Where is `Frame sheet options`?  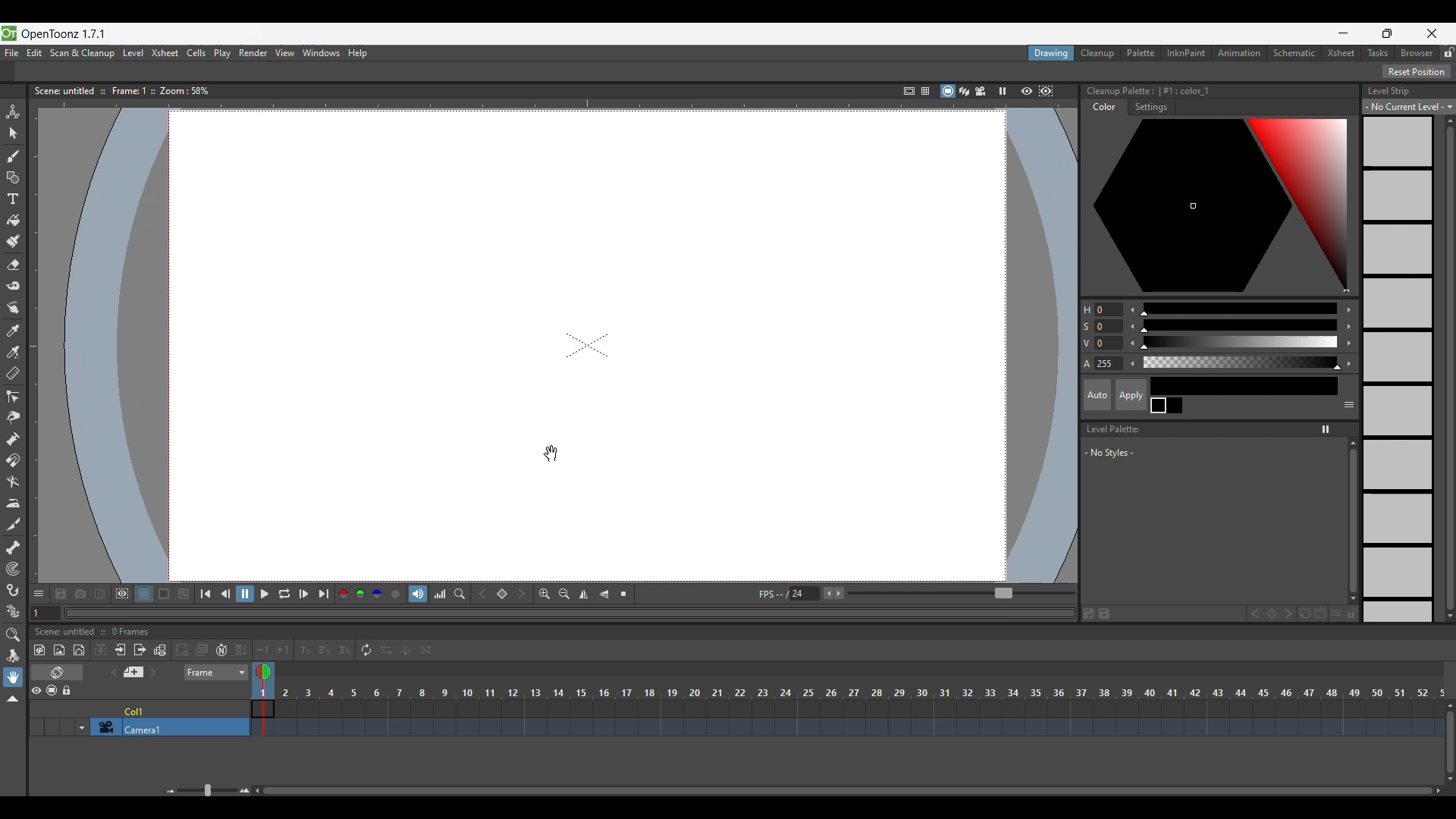
Frame sheet options is located at coordinates (216, 673).